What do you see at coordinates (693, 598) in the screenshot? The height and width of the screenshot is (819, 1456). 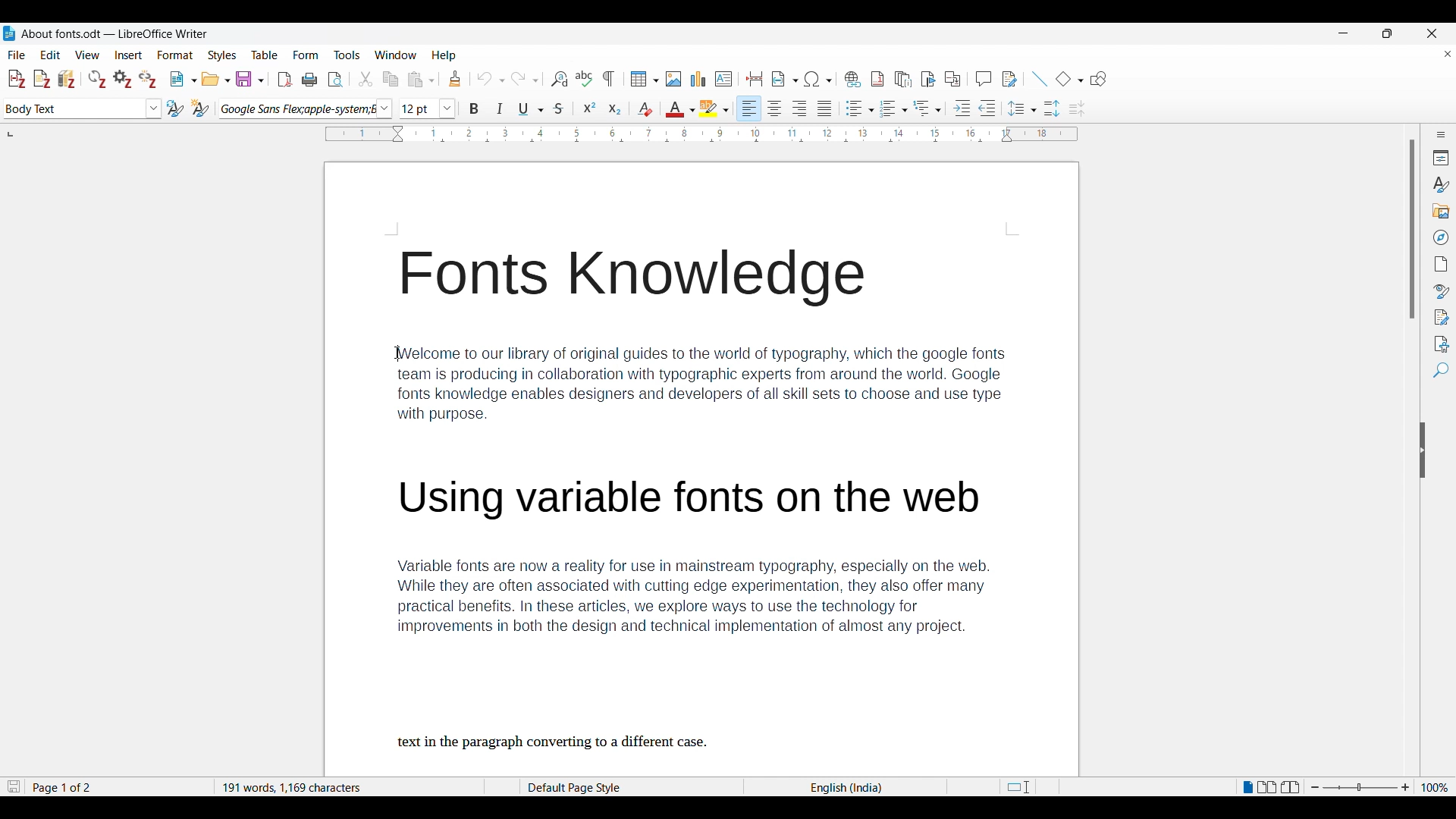 I see `Variable fonts description` at bounding box center [693, 598].